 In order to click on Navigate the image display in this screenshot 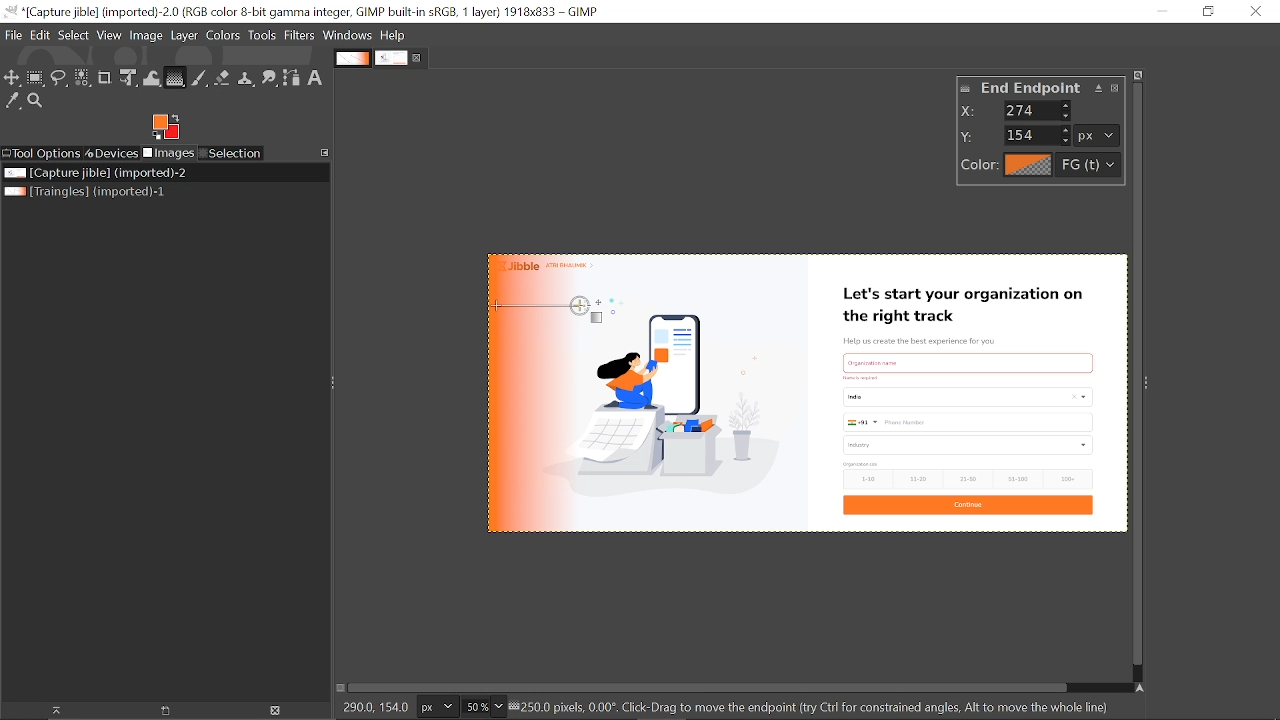, I will do `click(1139, 687)`.